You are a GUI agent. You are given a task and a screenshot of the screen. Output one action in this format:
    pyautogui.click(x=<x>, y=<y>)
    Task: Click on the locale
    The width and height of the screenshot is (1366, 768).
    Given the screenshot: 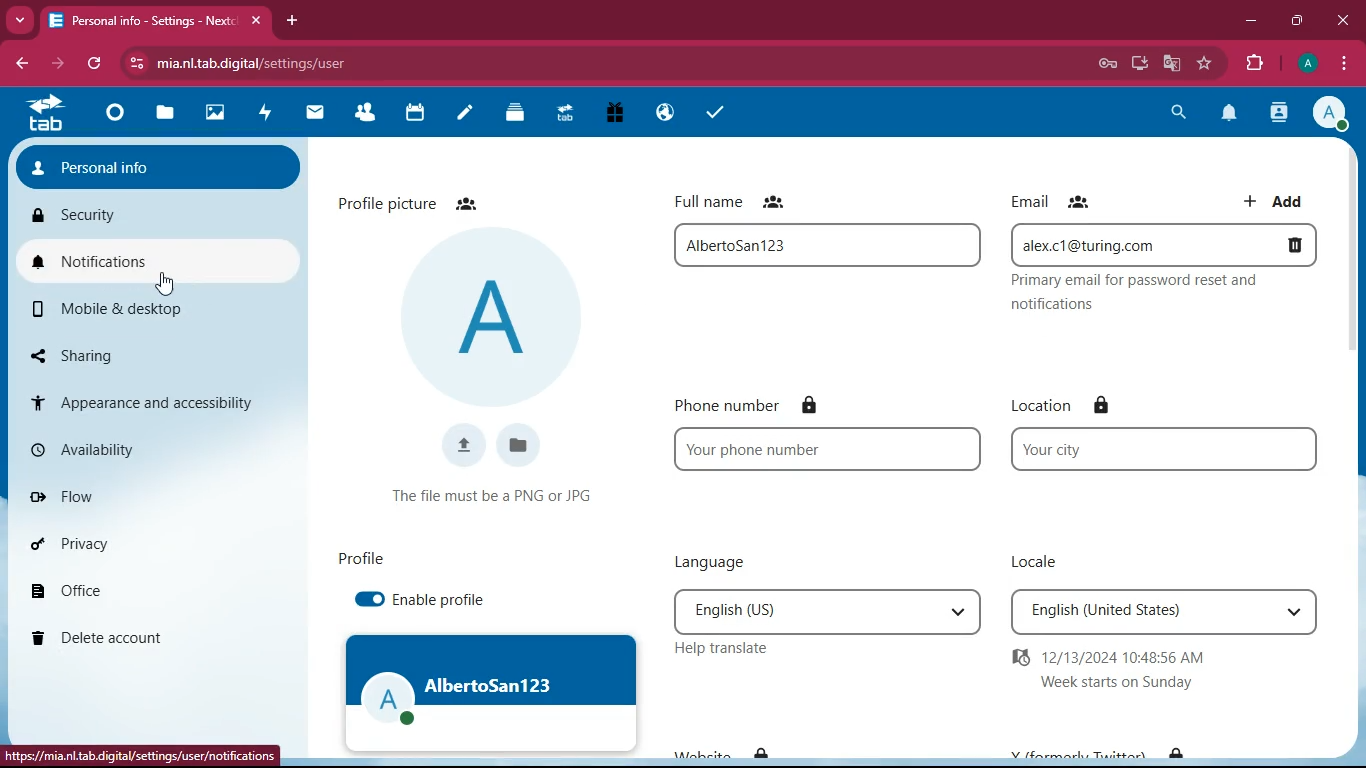 What is the action you would take?
    pyautogui.click(x=1037, y=563)
    